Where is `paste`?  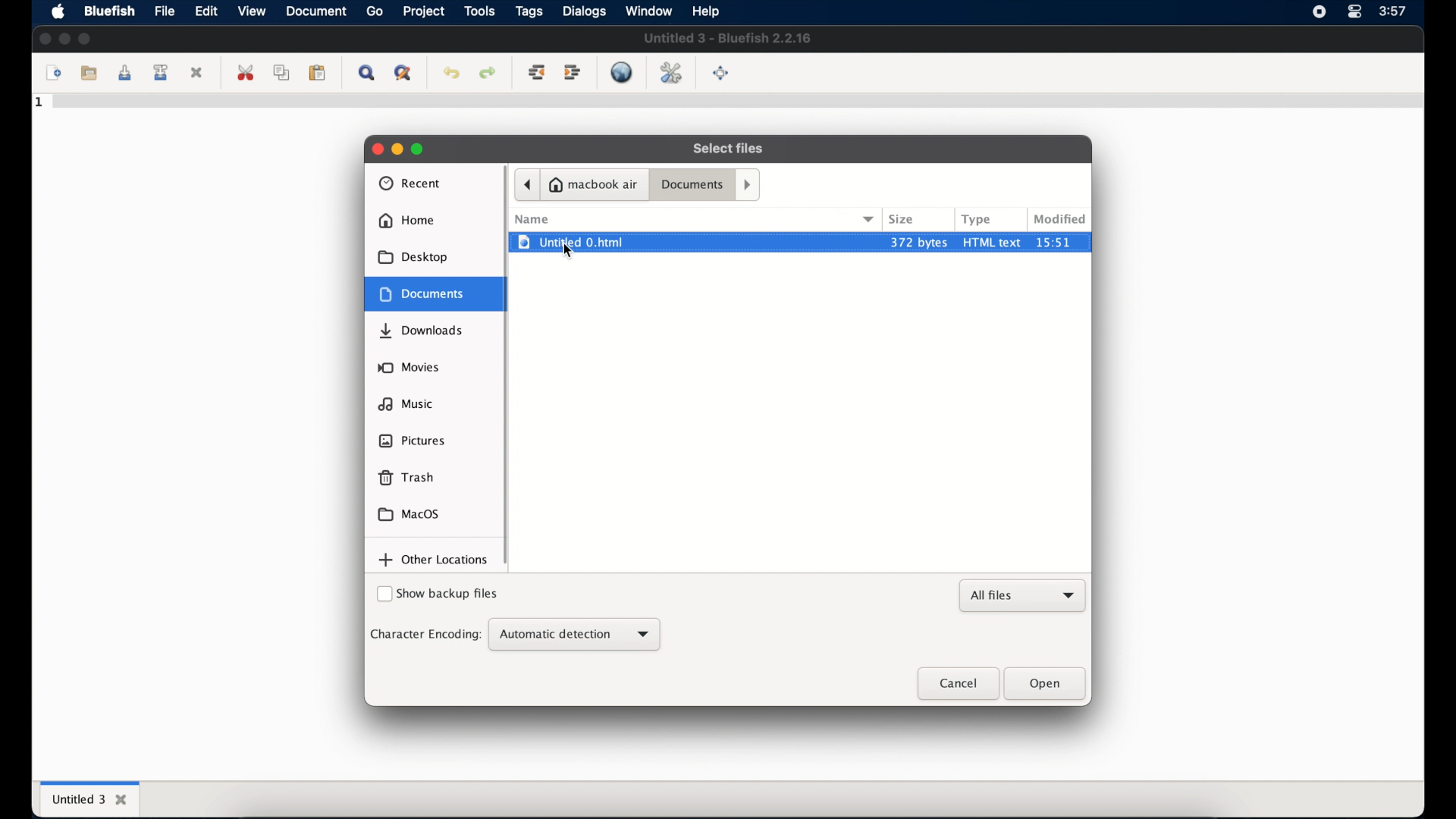 paste is located at coordinates (318, 74).